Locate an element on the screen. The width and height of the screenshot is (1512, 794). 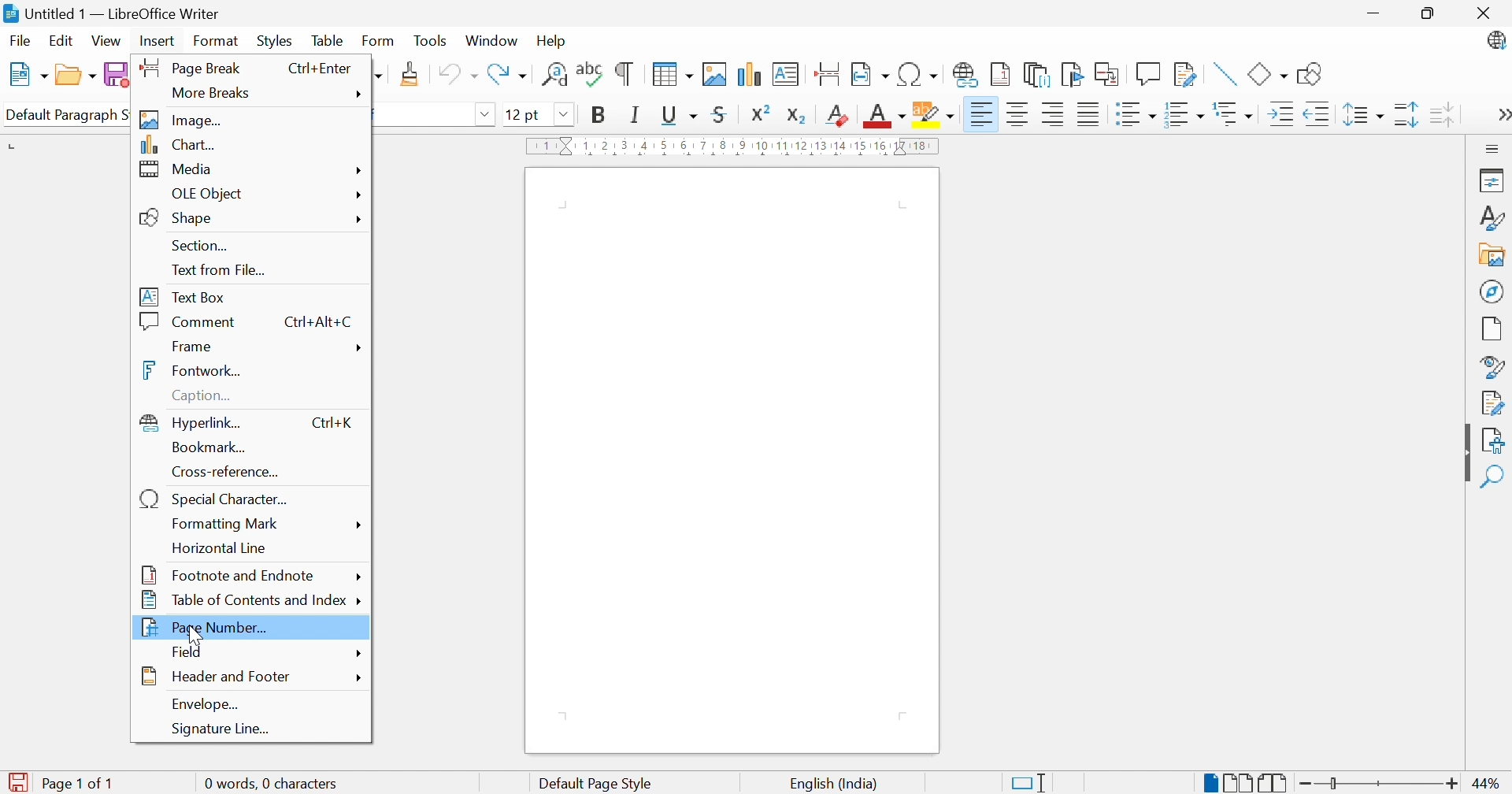
Toggle unordered list is located at coordinates (1134, 114).